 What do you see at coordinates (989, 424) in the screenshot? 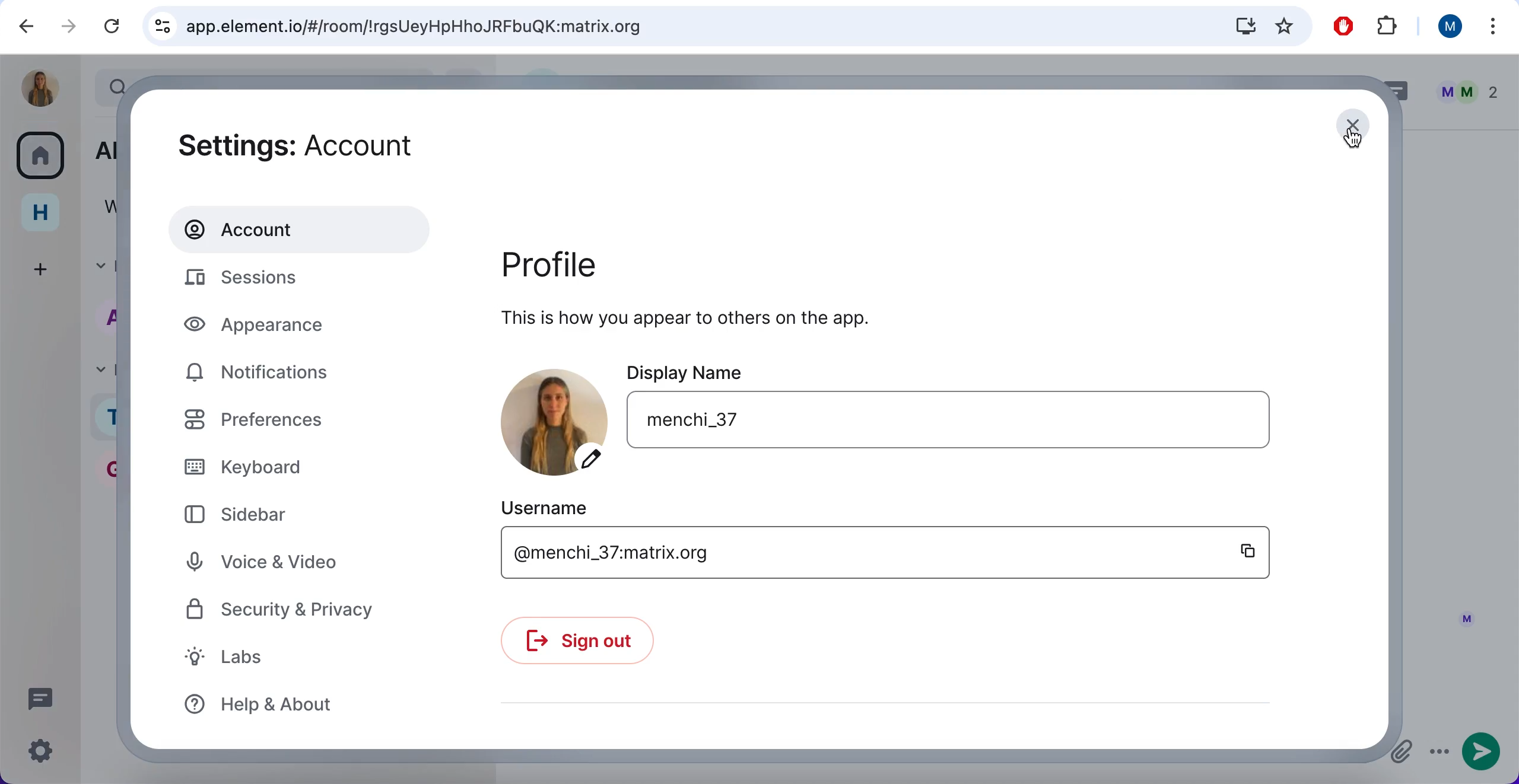
I see `user` at bounding box center [989, 424].